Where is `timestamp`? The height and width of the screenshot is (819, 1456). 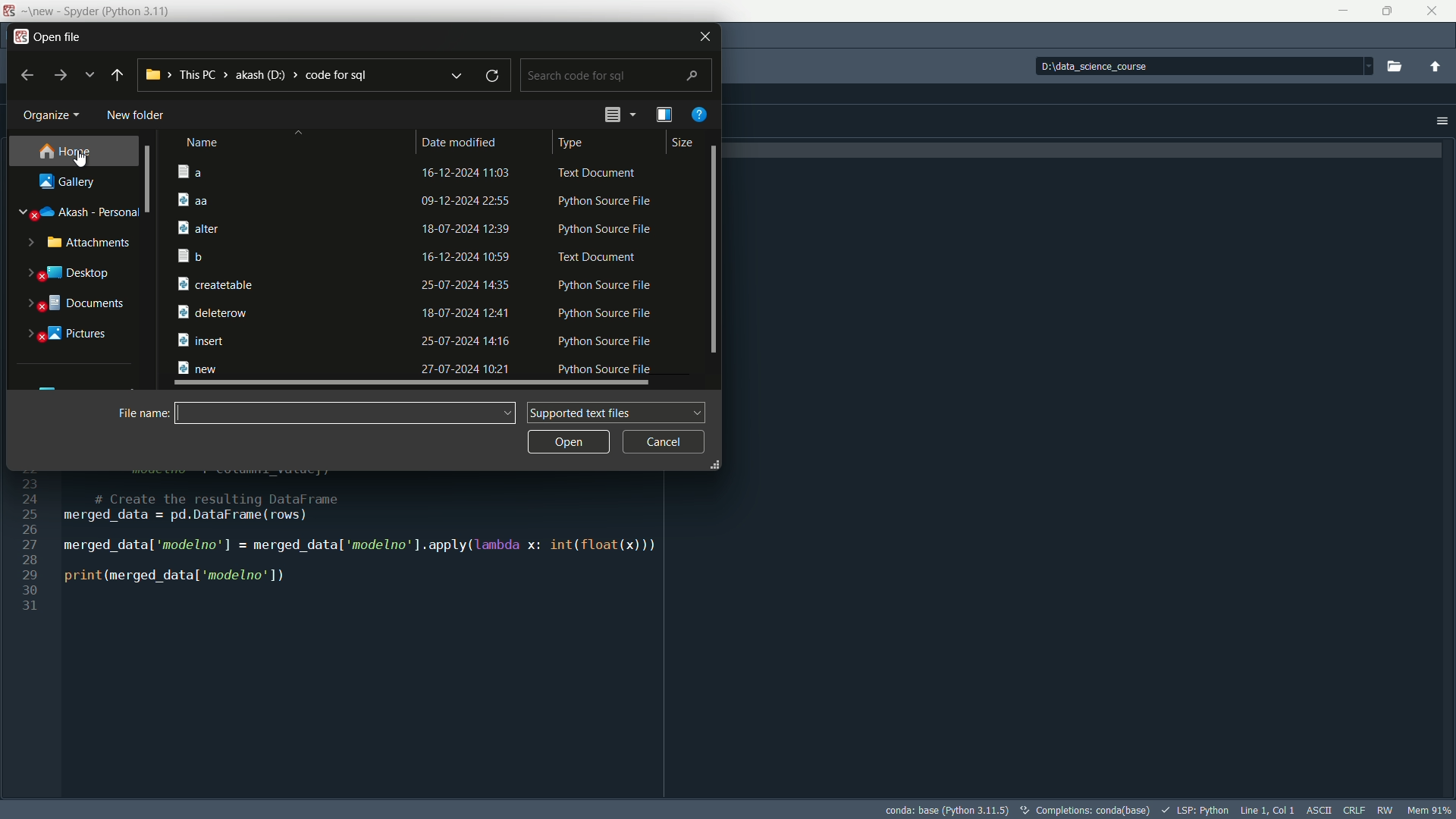
timestamp is located at coordinates (466, 171).